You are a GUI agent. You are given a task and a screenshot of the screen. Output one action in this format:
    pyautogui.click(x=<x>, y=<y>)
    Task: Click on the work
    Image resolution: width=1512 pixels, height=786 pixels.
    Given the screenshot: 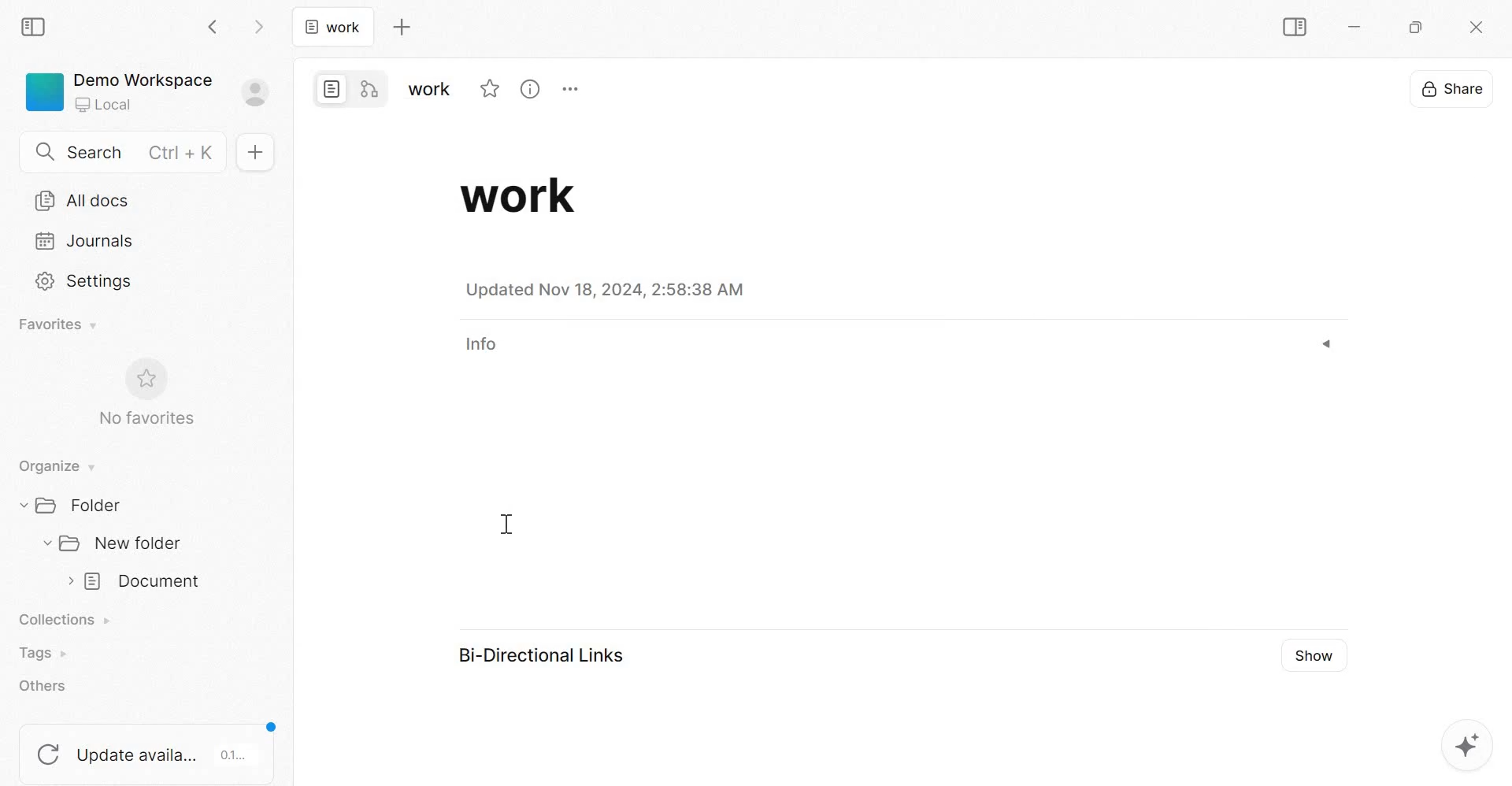 What is the action you would take?
    pyautogui.click(x=428, y=89)
    